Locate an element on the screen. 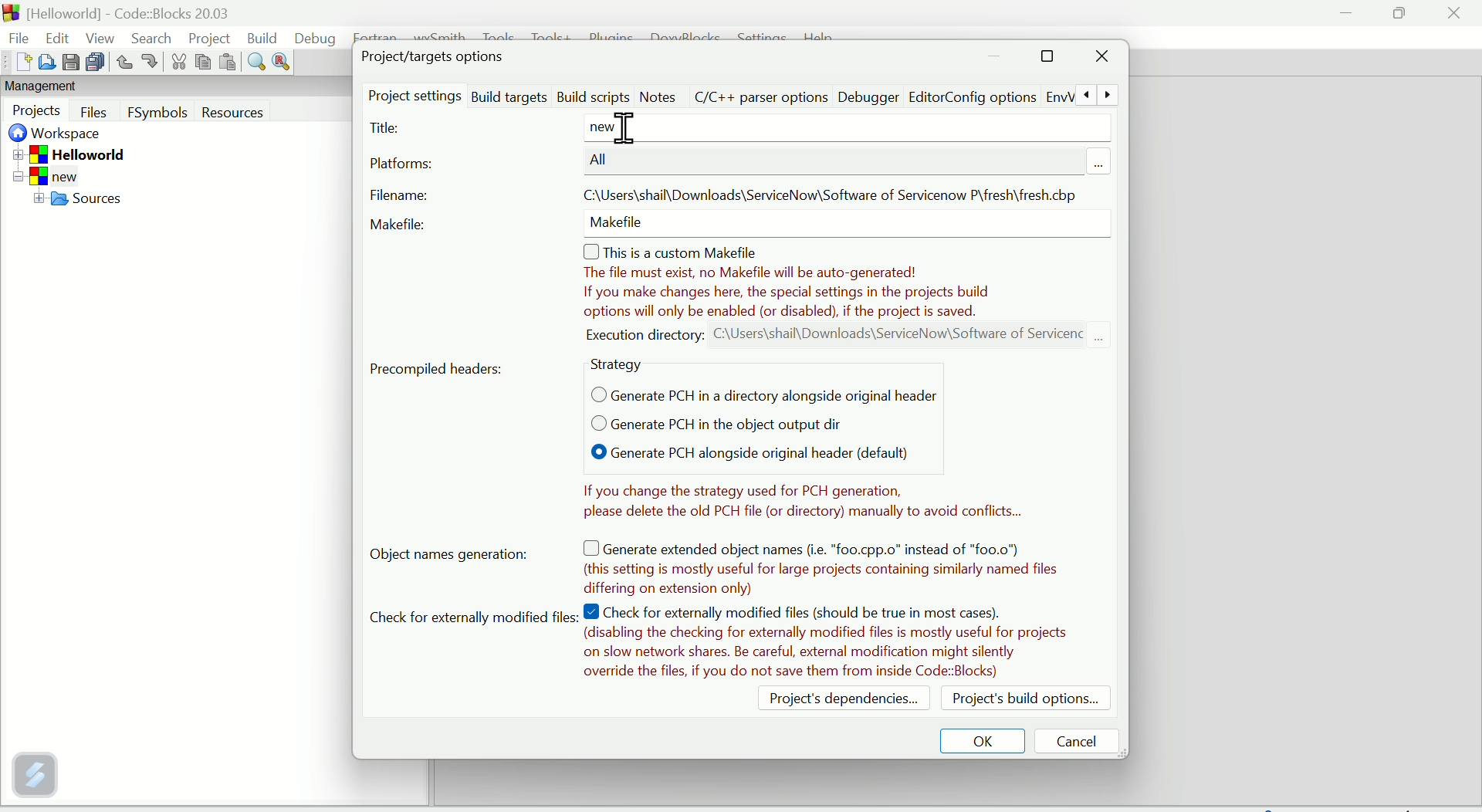 This screenshot has width=1482, height=812. Platforms is located at coordinates (403, 166).